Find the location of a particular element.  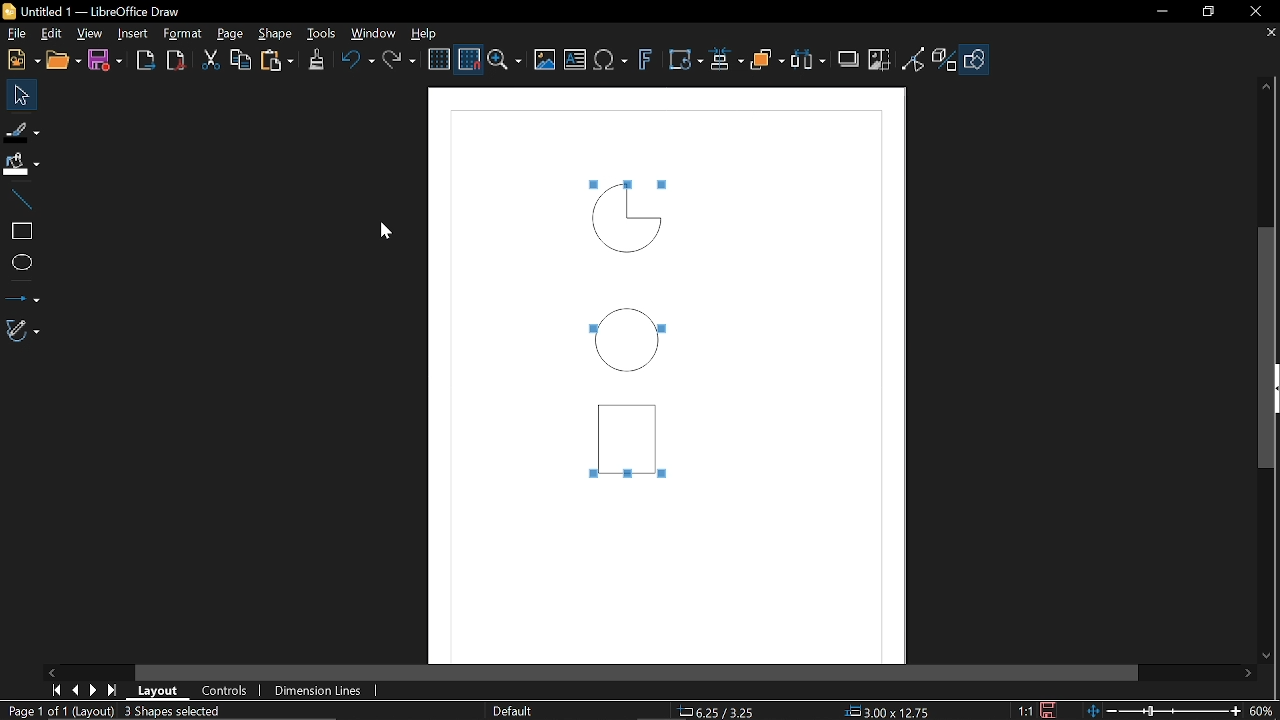

Dimension lines is located at coordinates (314, 691).